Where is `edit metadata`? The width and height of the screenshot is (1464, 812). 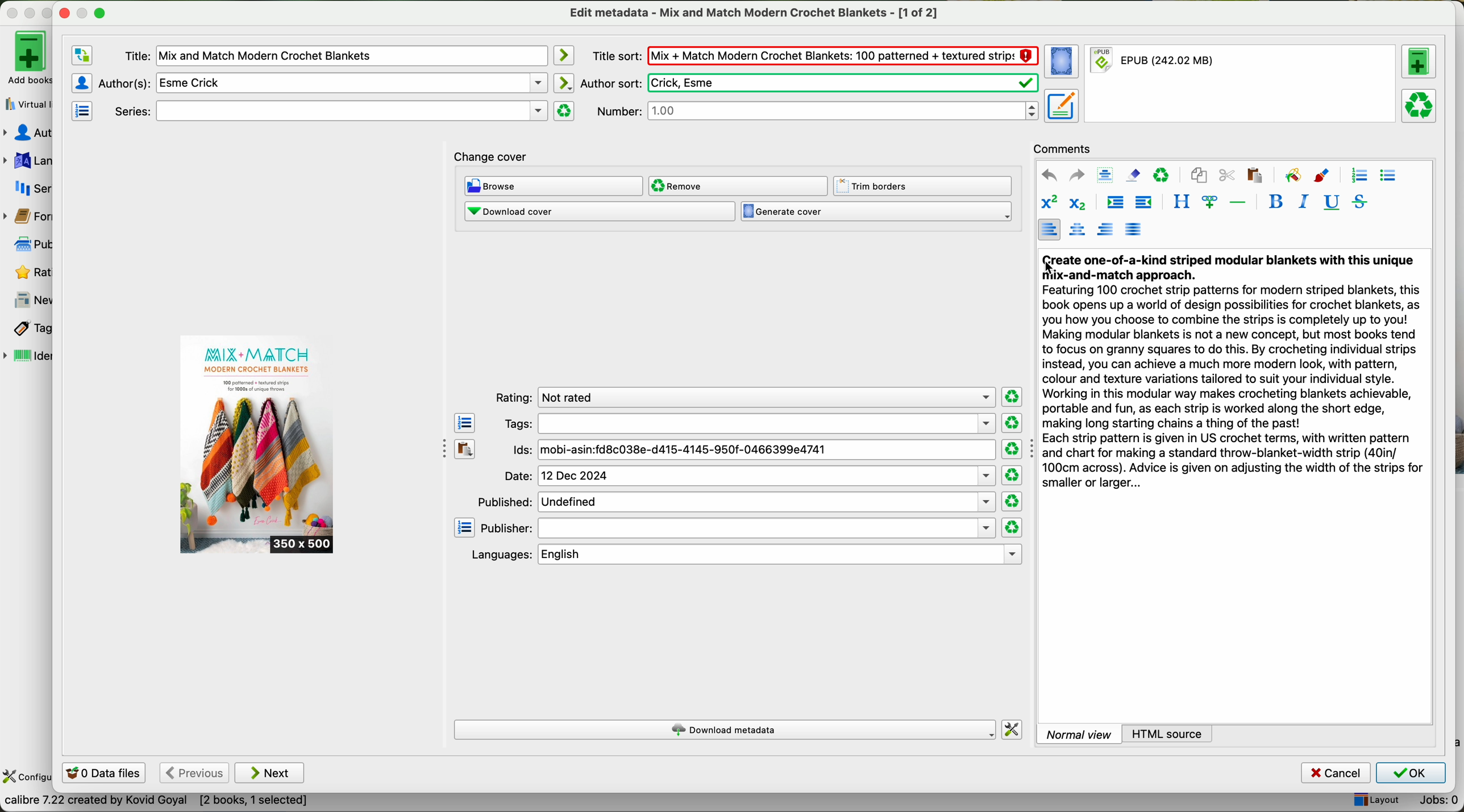 edit metadata is located at coordinates (756, 13).